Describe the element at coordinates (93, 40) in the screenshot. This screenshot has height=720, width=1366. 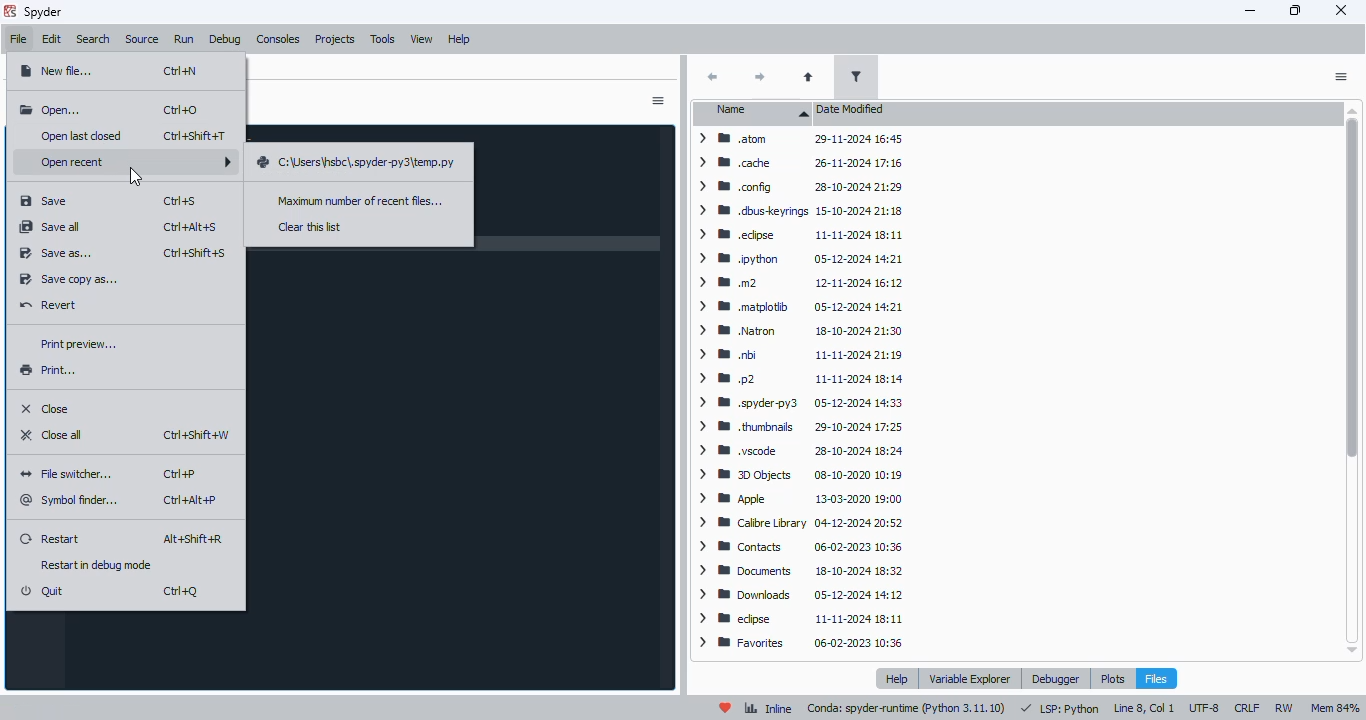
I see `search` at that location.